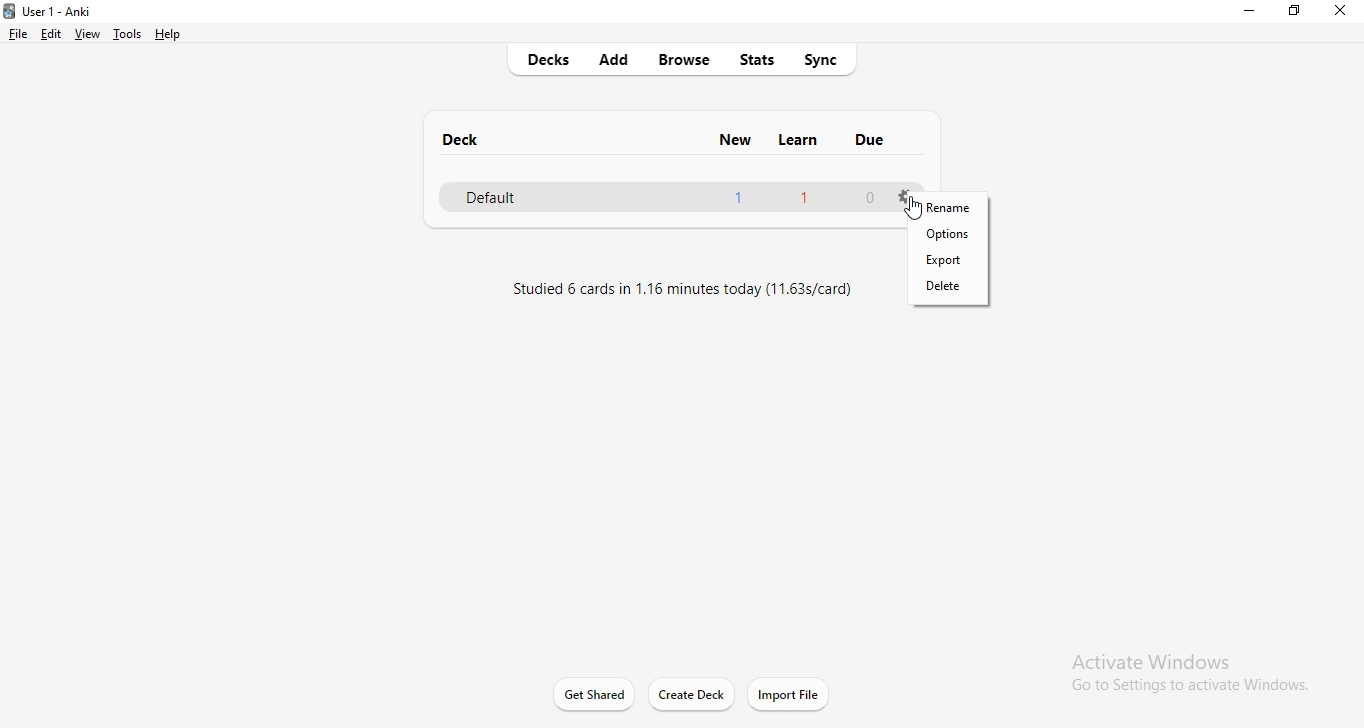 The height and width of the screenshot is (728, 1364). Describe the element at coordinates (1297, 12) in the screenshot. I see `restore` at that location.